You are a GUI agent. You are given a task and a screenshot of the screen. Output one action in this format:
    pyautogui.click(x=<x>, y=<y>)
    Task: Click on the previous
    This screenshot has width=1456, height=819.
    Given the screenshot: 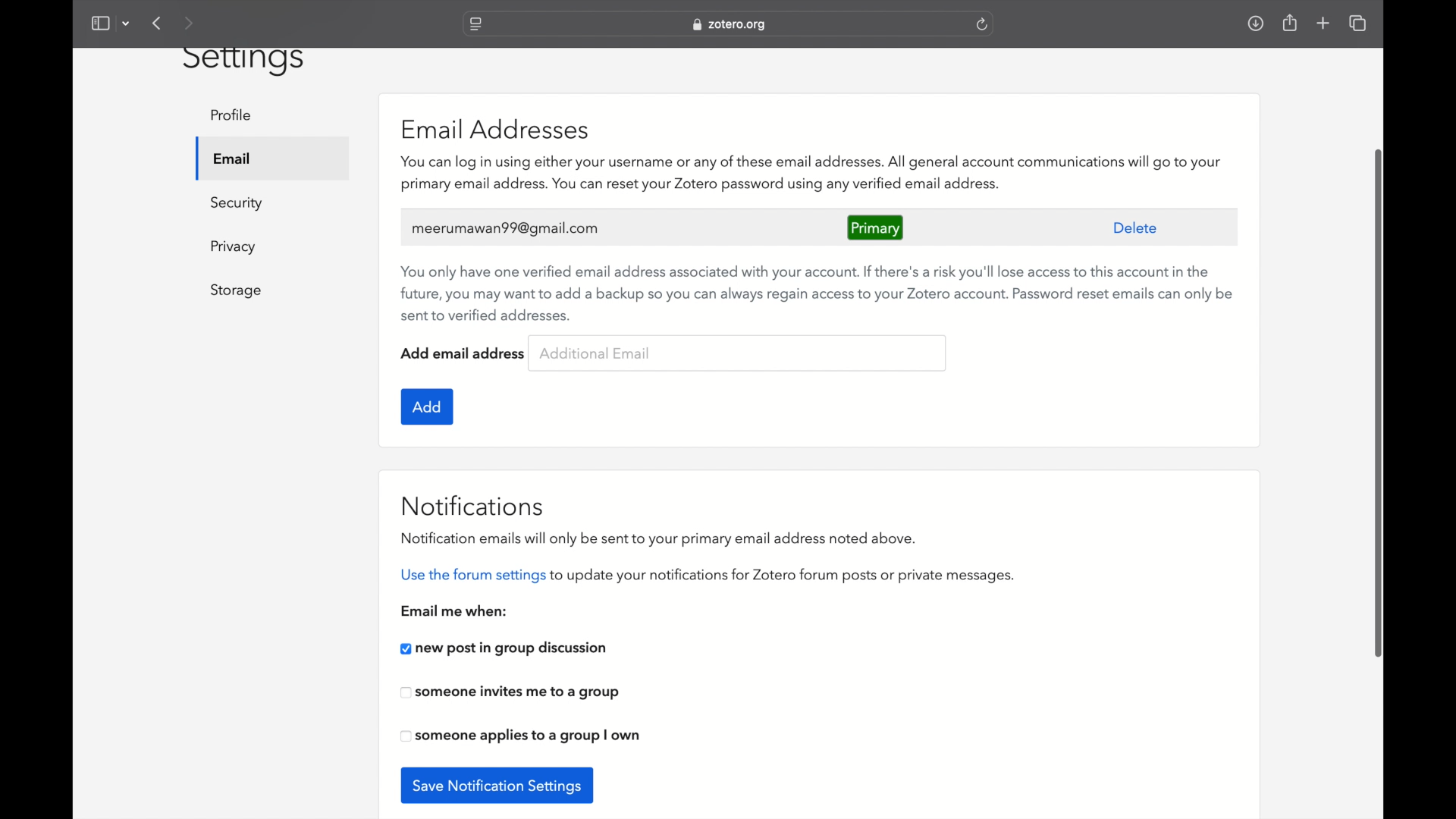 What is the action you would take?
    pyautogui.click(x=158, y=23)
    